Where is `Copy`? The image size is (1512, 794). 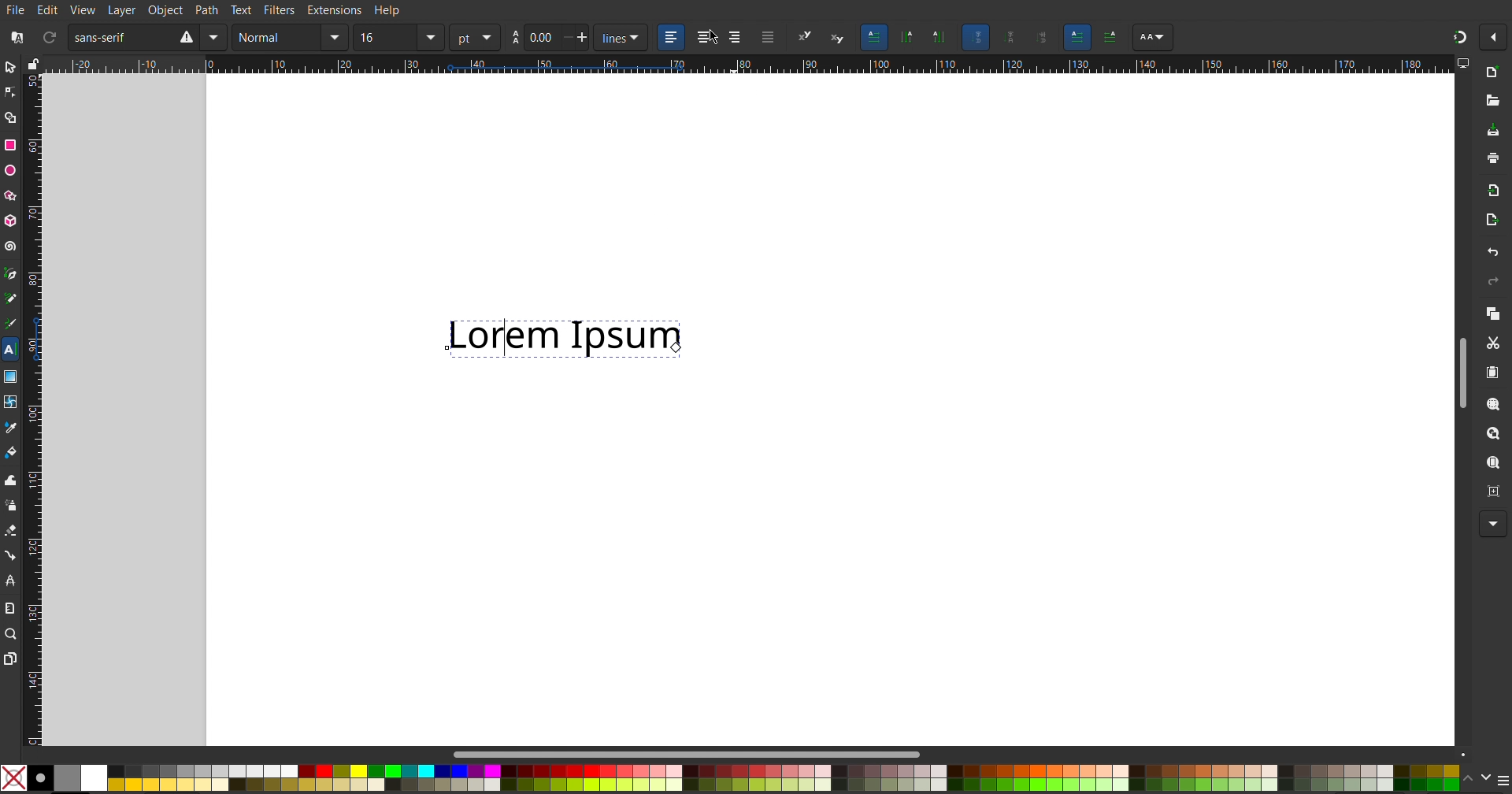
Copy is located at coordinates (1494, 315).